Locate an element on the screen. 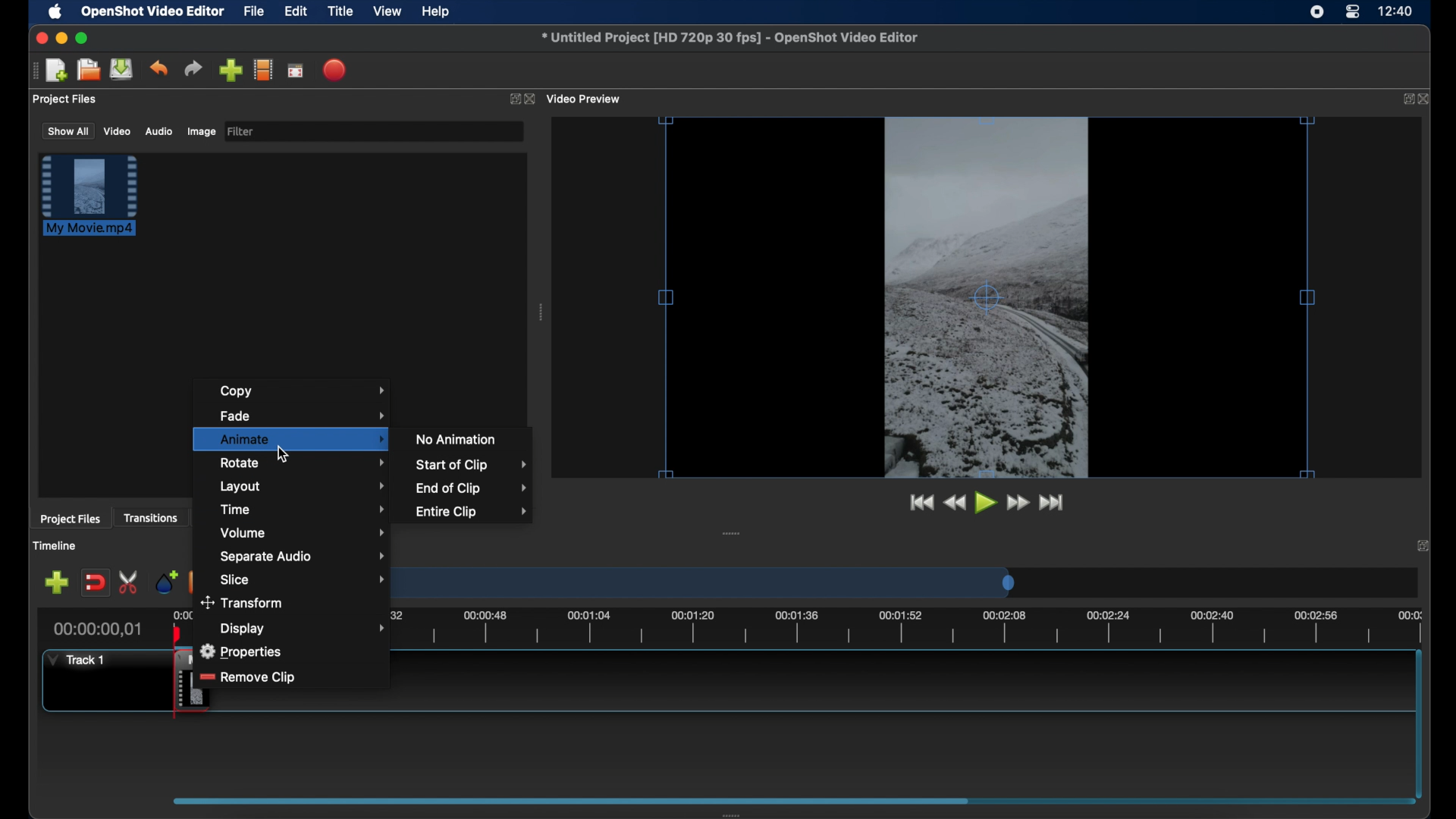  rotate menu is located at coordinates (303, 463).